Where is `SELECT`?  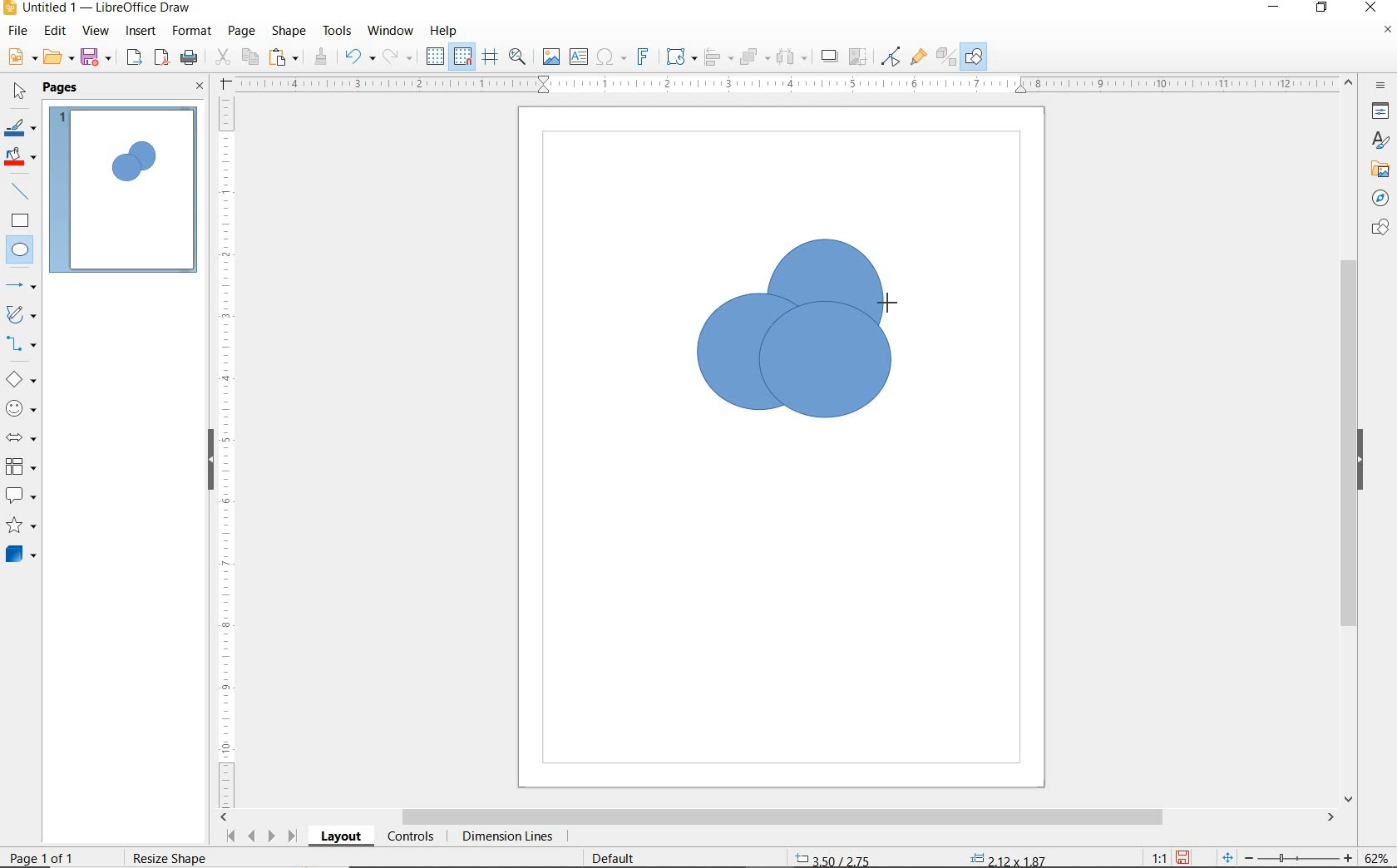 SELECT is located at coordinates (20, 92).